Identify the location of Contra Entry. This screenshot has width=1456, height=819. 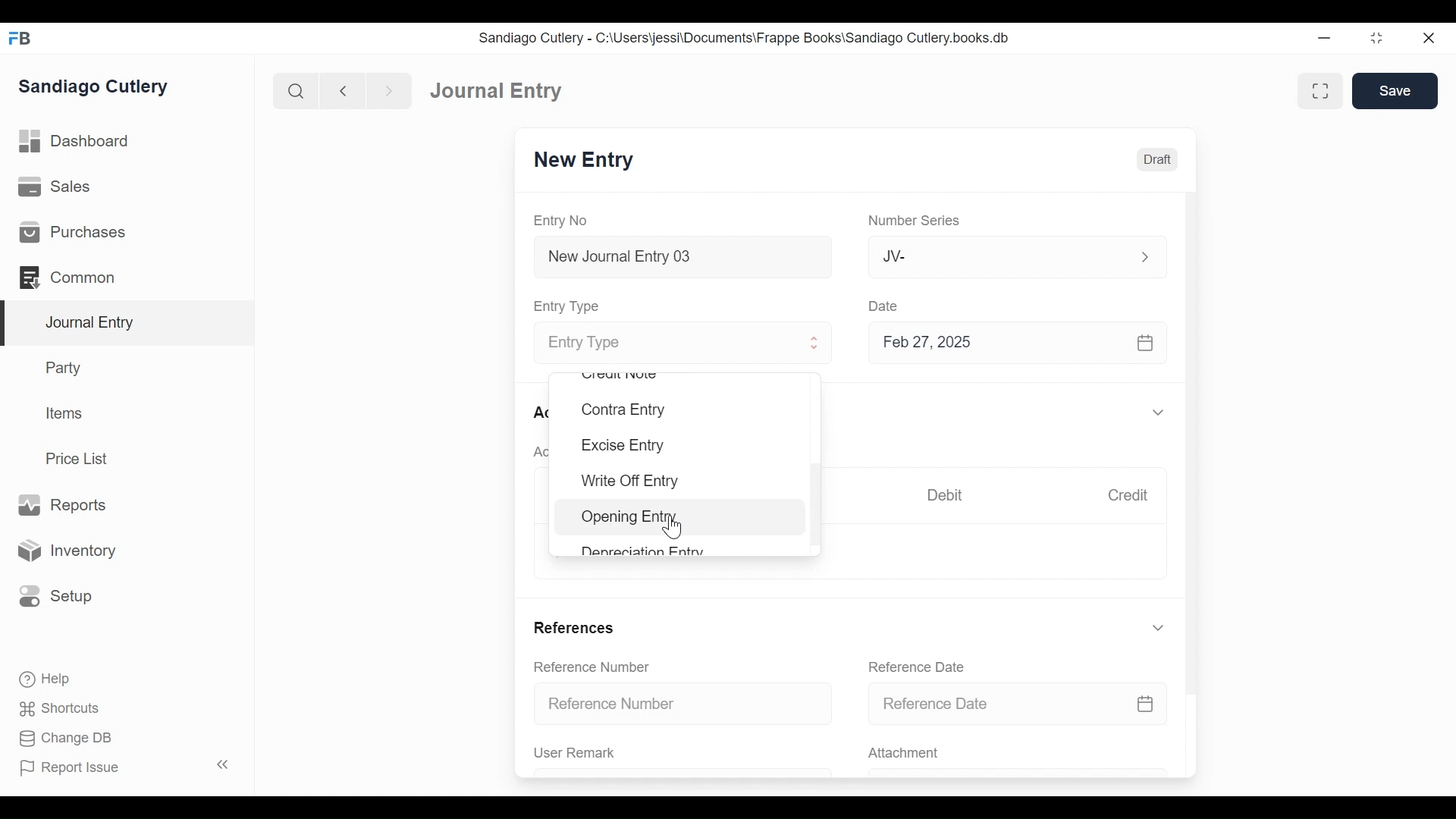
(625, 410).